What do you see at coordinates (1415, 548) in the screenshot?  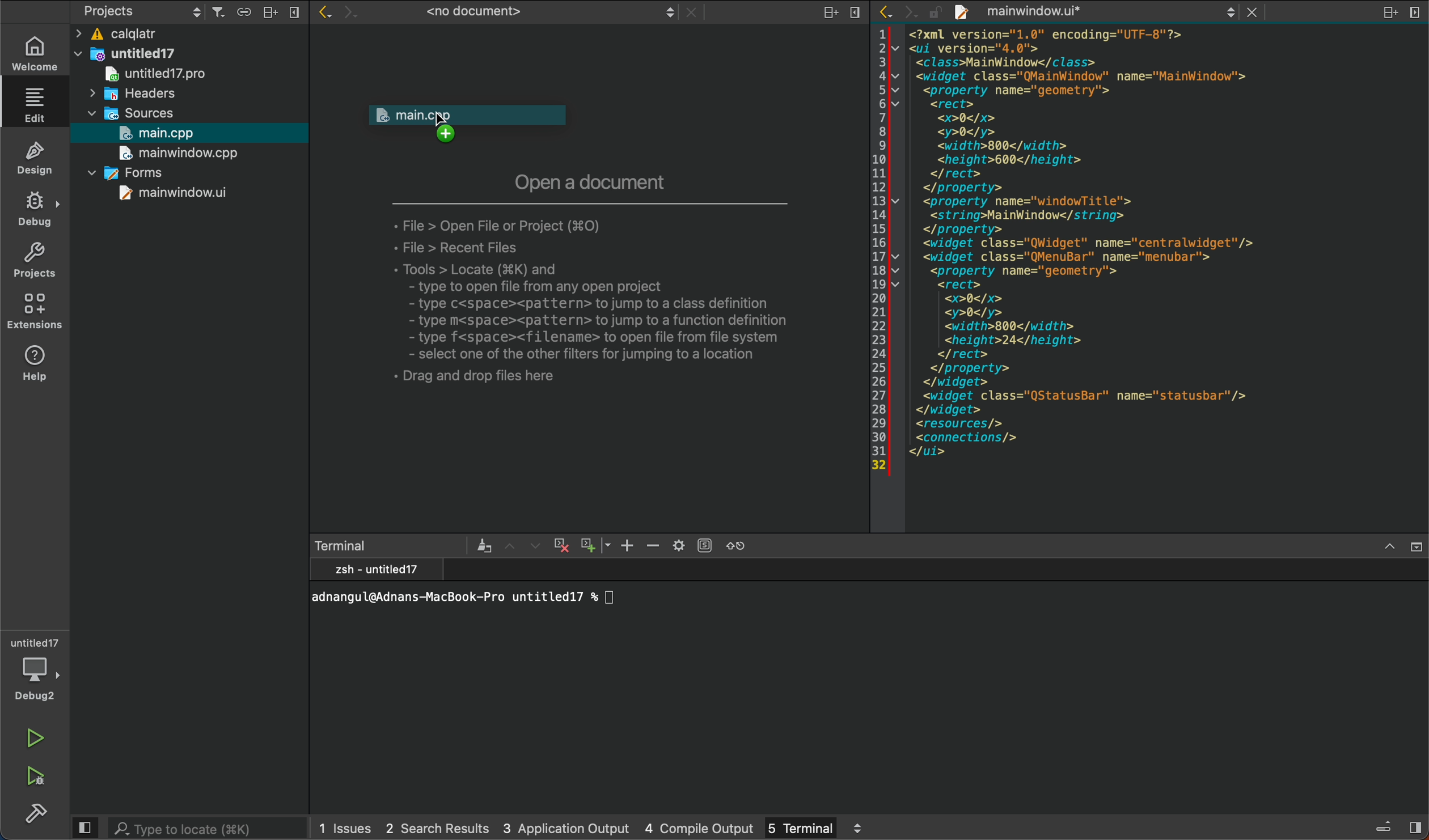 I see `close` at bounding box center [1415, 548].